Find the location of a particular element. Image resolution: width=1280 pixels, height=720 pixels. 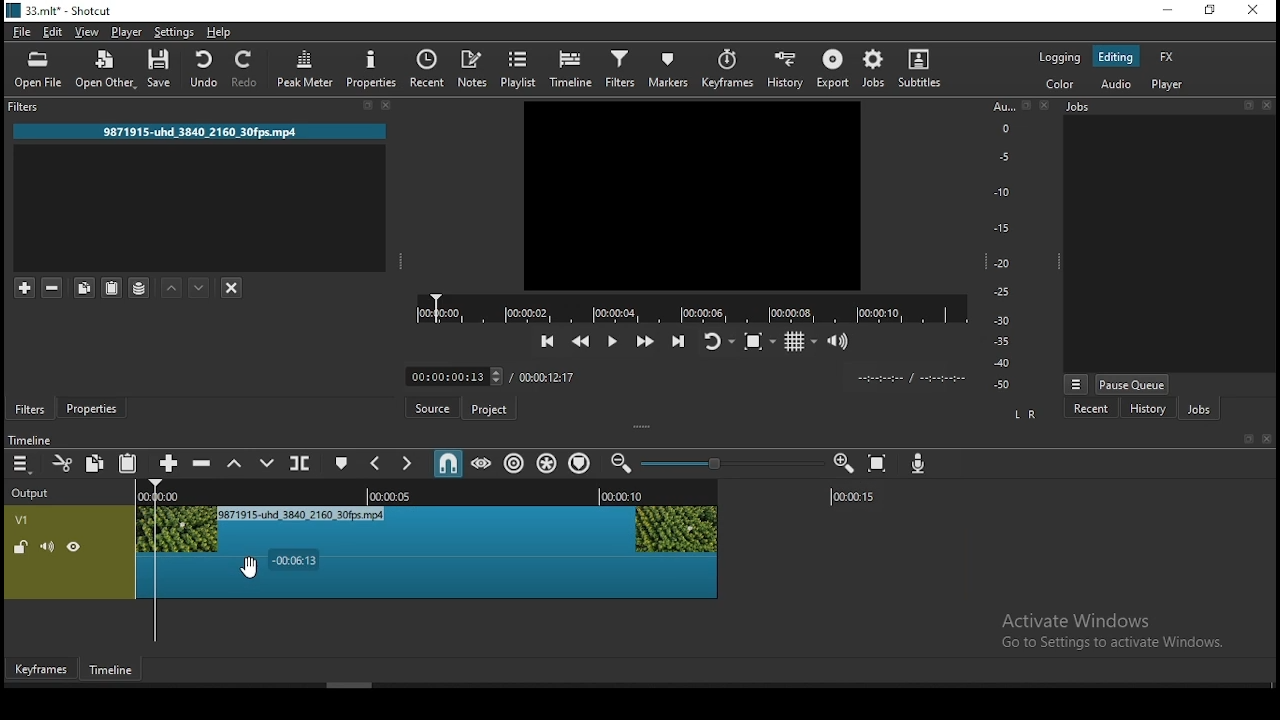

notes is located at coordinates (471, 68).